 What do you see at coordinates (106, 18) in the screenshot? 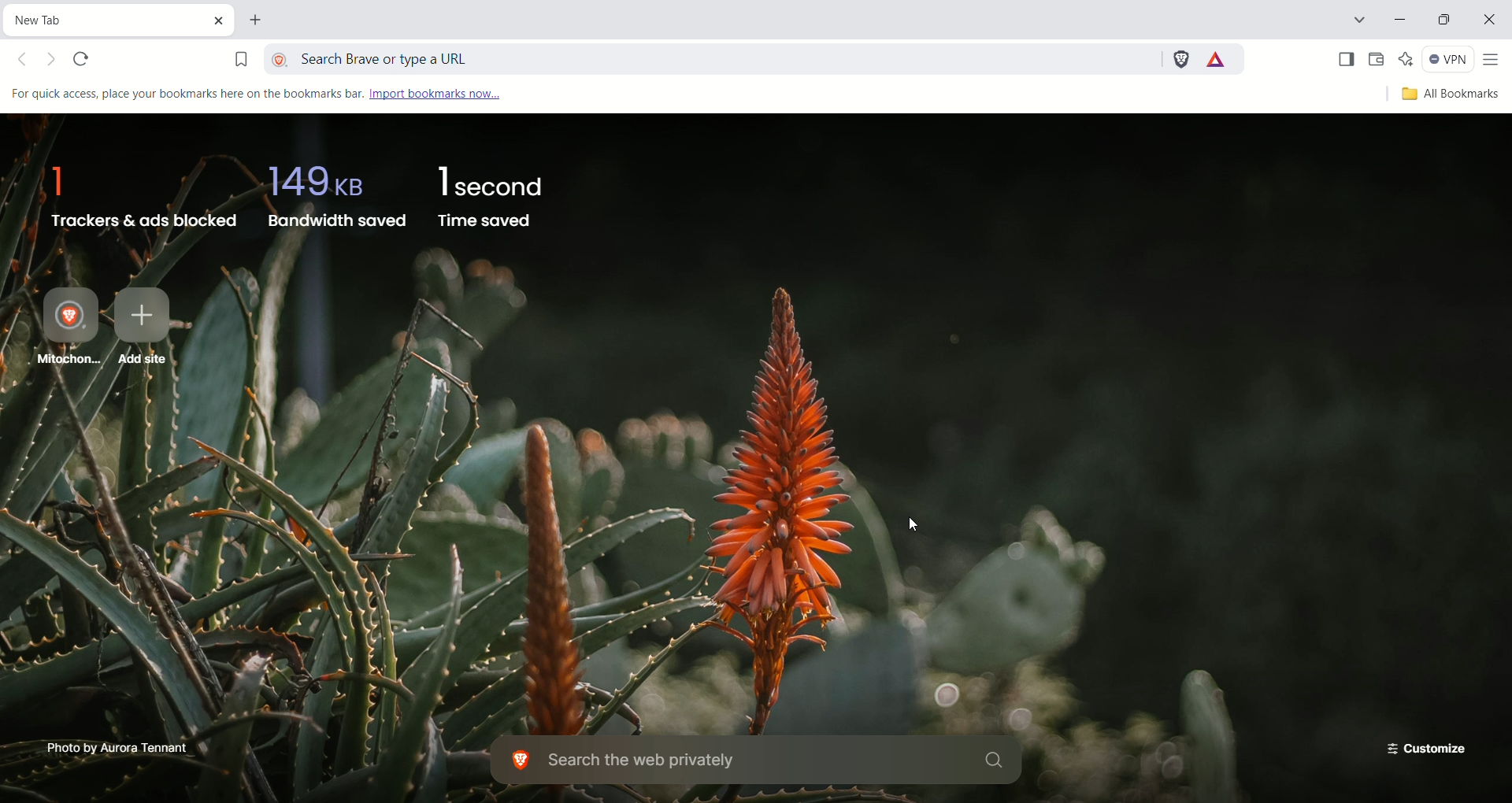
I see `current tab` at bounding box center [106, 18].